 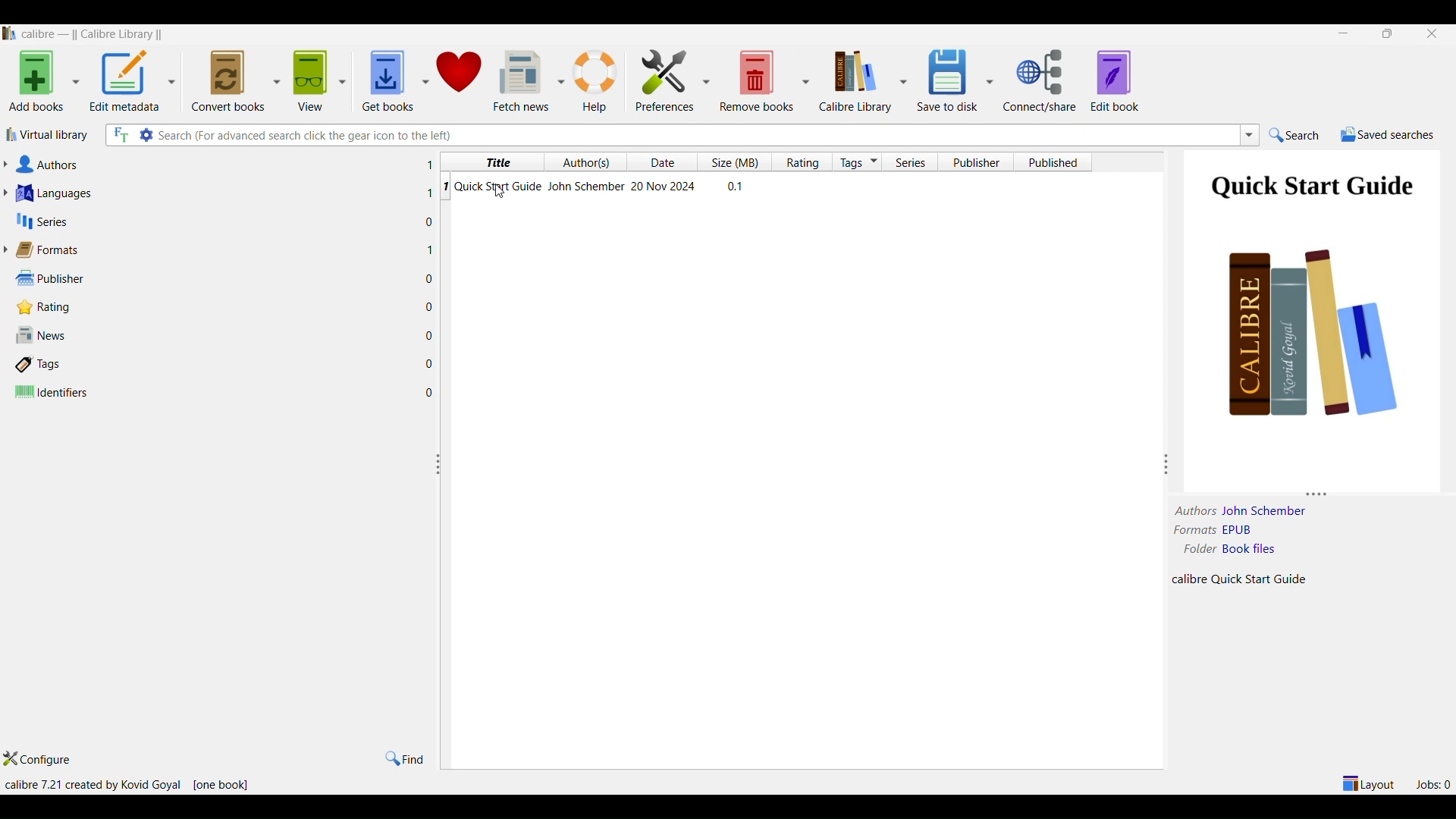 What do you see at coordinates (219, 162) in the screenshot?
I see `authors` at bounding box center [219, 162].